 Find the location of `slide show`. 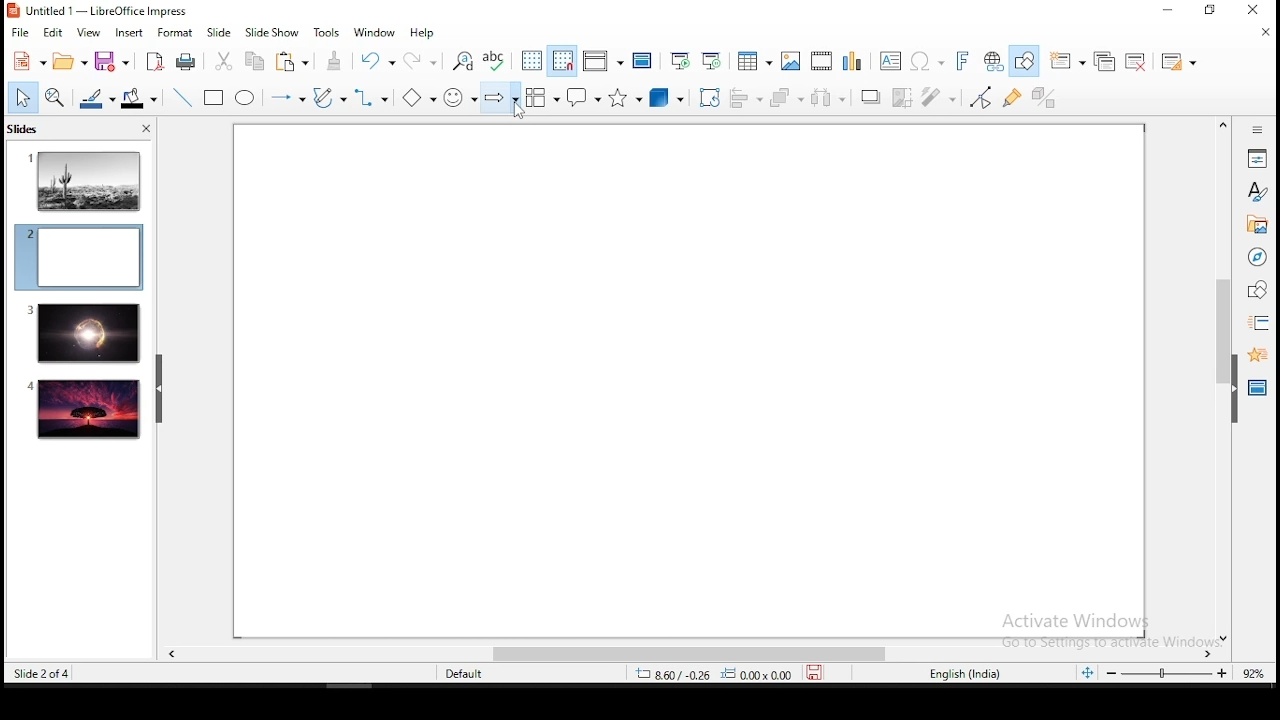

slide show is located at coordinates (274, 33).